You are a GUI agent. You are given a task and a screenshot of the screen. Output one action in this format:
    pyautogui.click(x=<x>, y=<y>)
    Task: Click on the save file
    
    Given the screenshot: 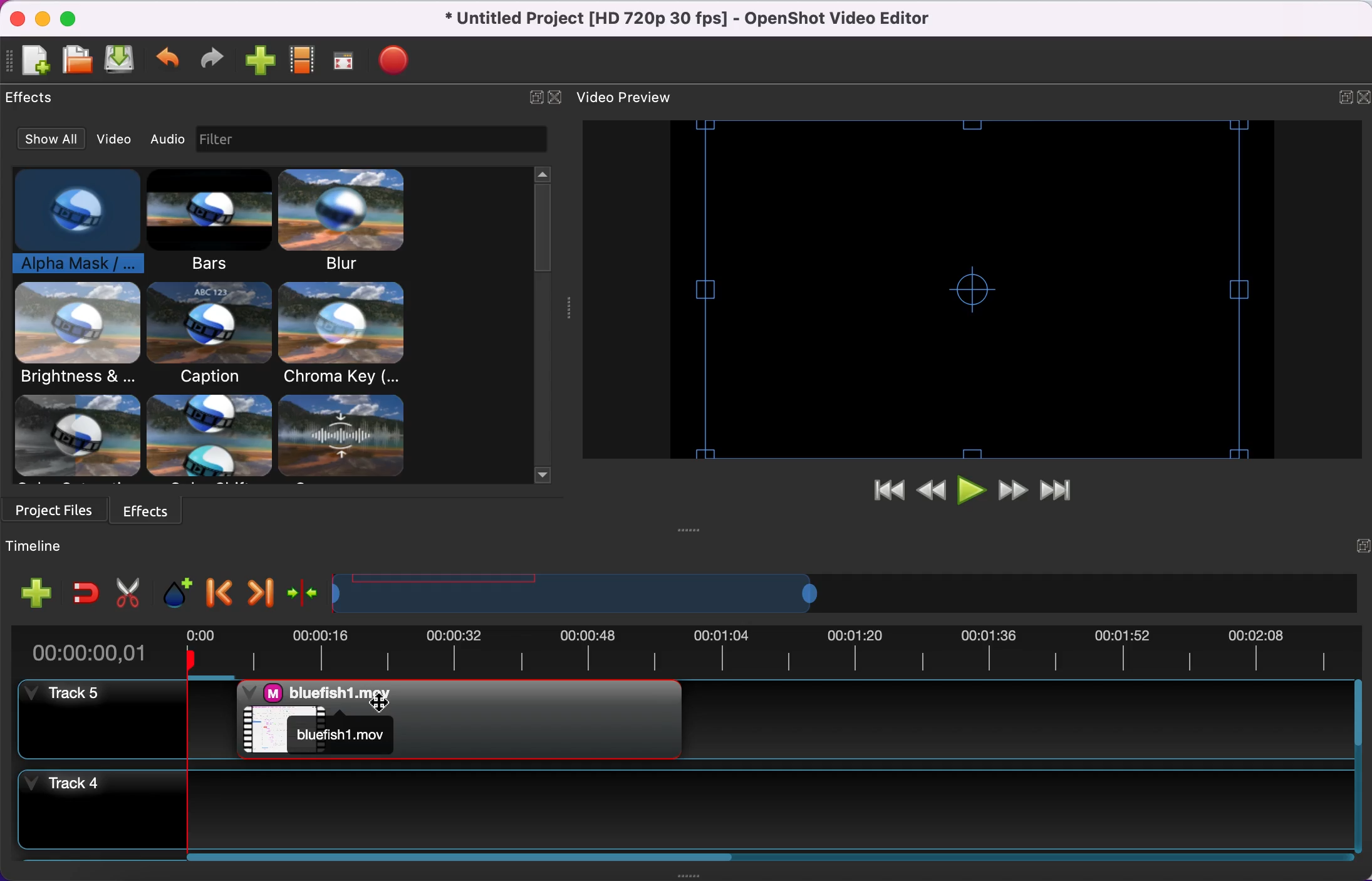 What is the action you would take?
    pyautogui.click(x=123, y=62)
    